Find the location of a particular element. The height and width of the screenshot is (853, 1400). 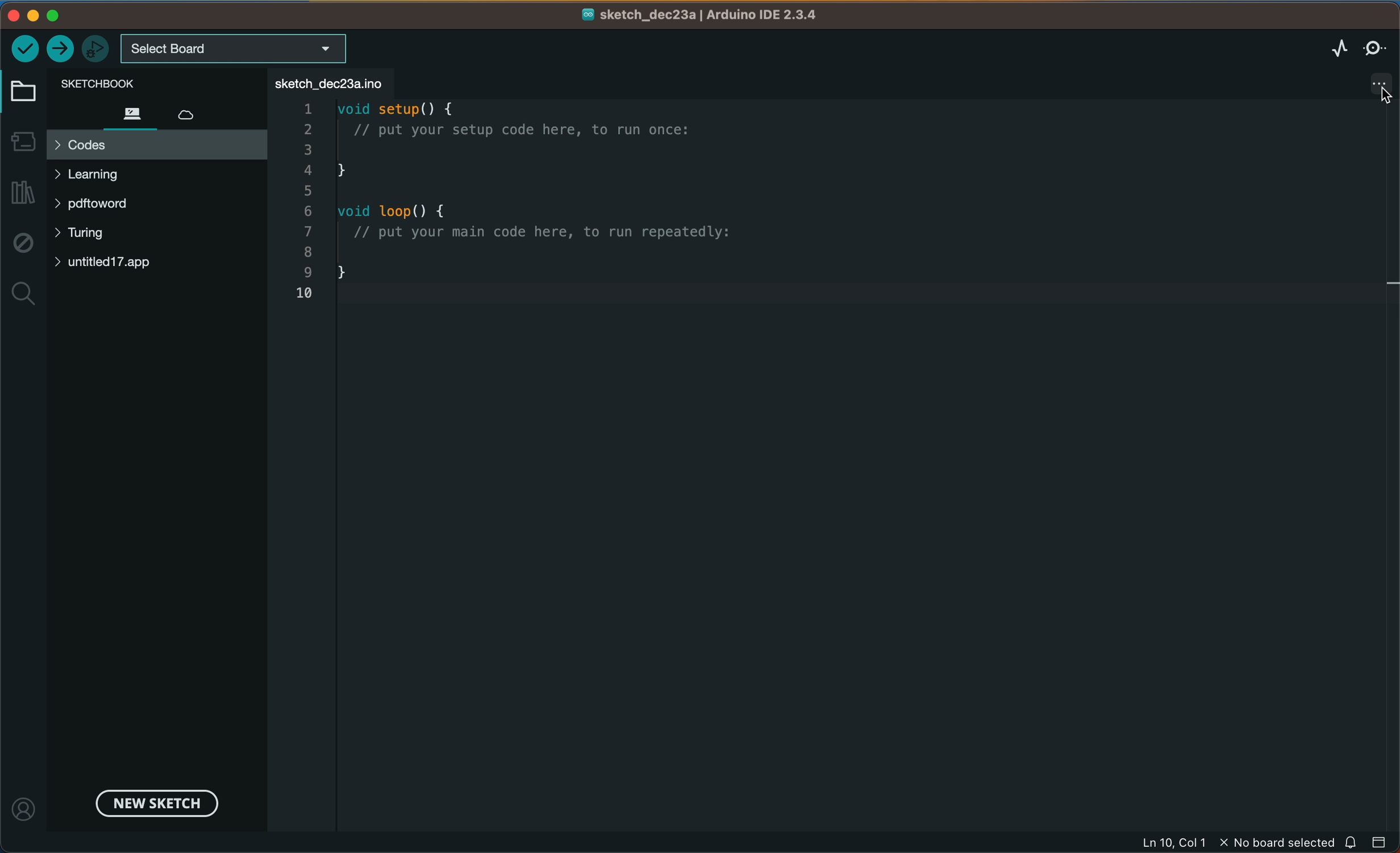

file setting is located at coordinates (1369, 84).